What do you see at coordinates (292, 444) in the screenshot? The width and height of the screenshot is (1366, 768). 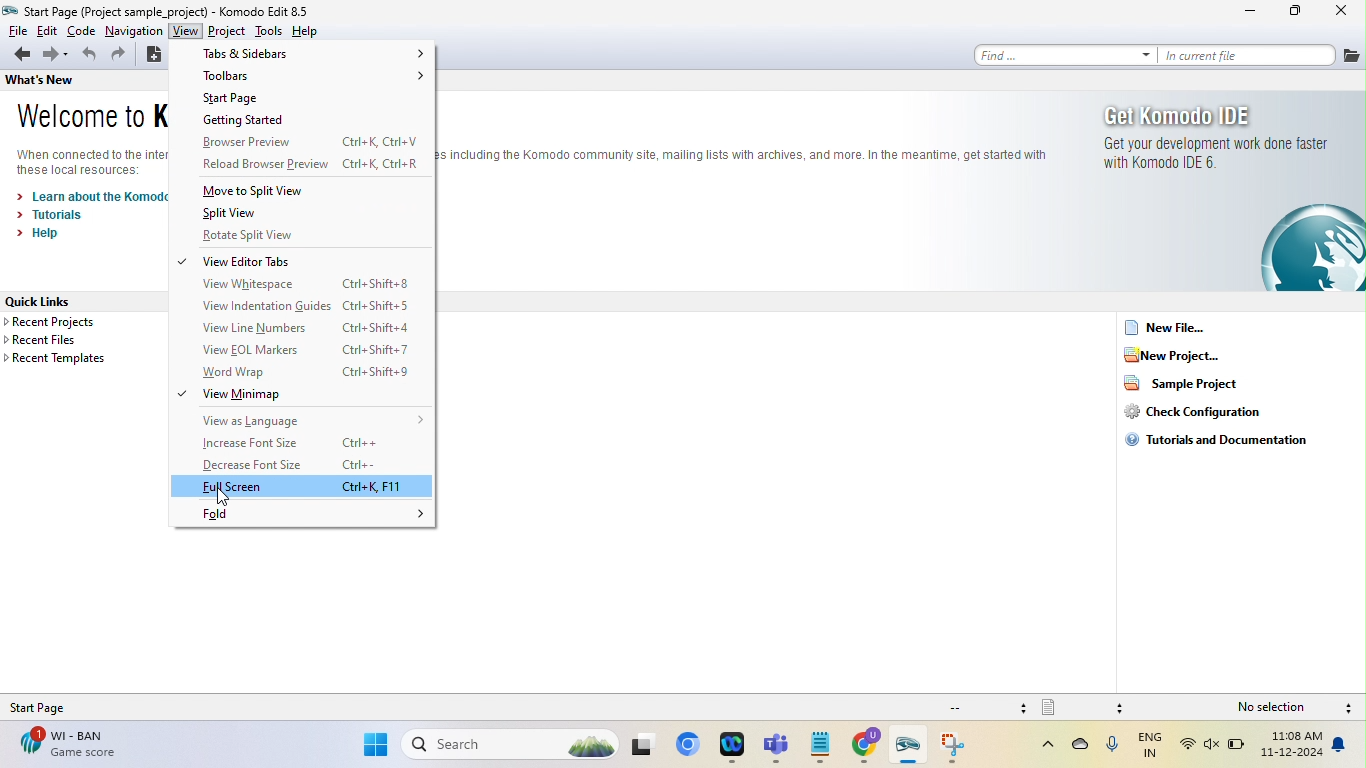 I see `increase font size` at bounding box center [292, 444].